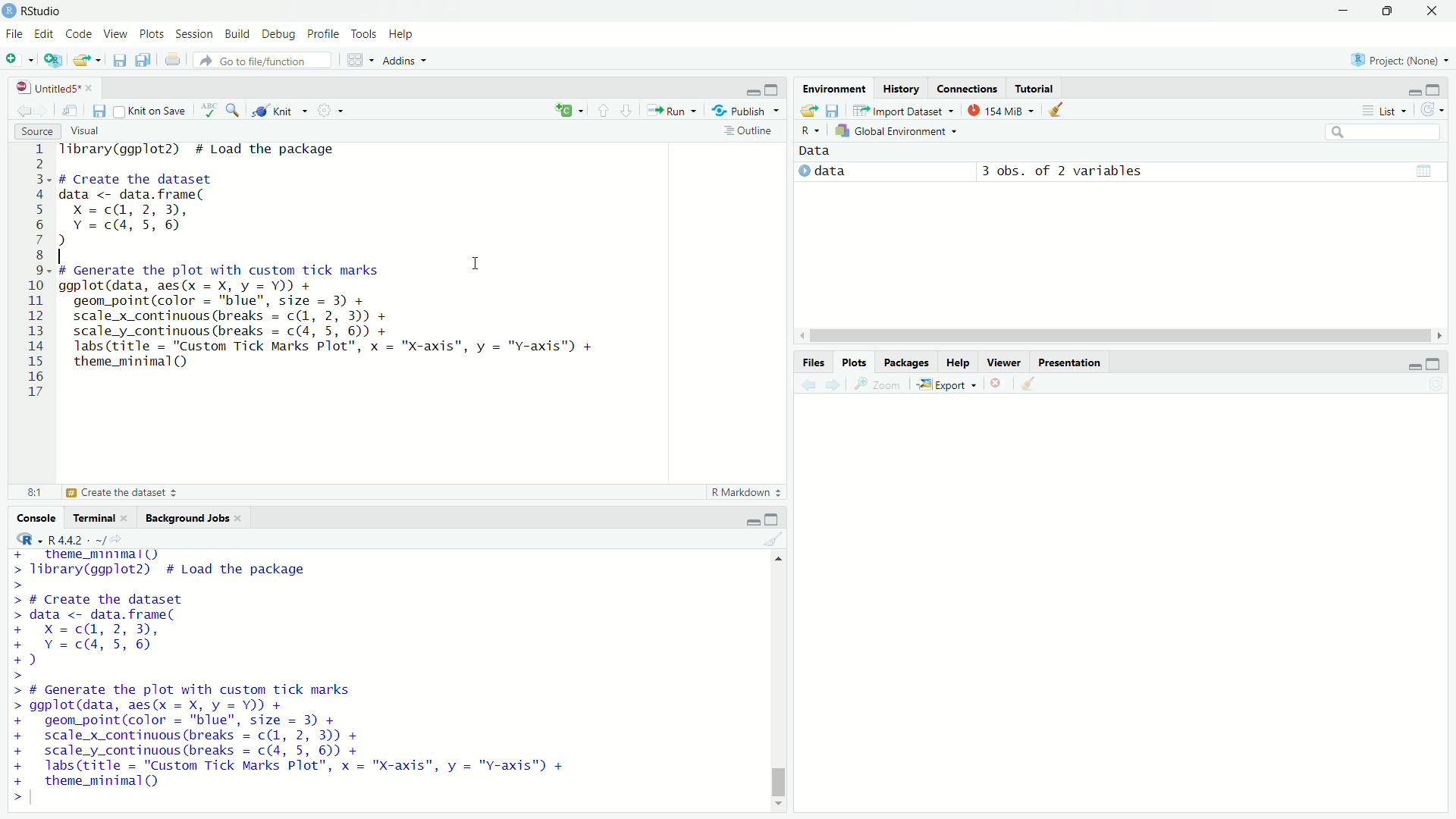  I want to click on typing cursor, so click(37, 800).